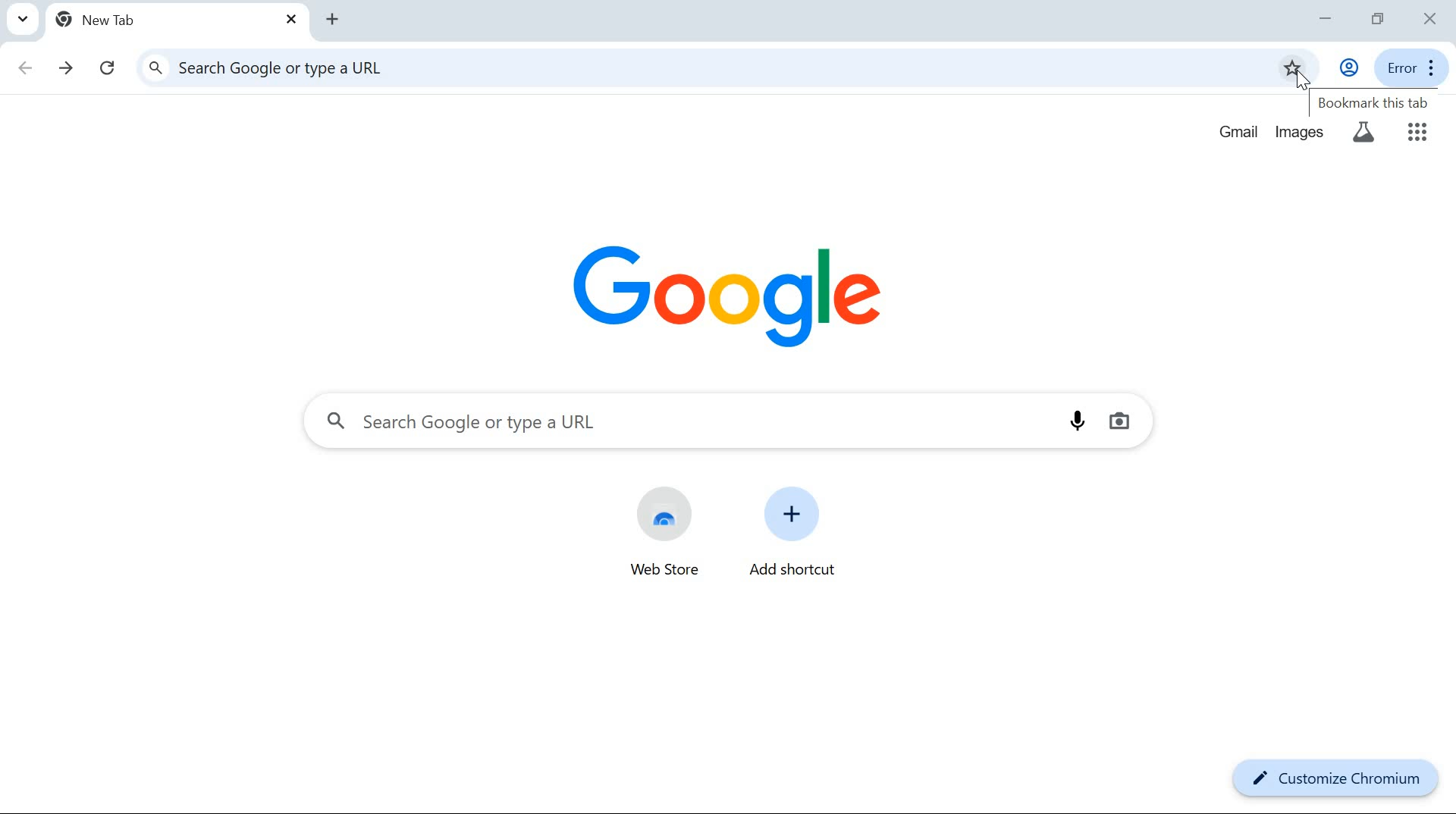  Describe the element at coordinates (1433, 67) in the screenshot. I see `more options` at that location.